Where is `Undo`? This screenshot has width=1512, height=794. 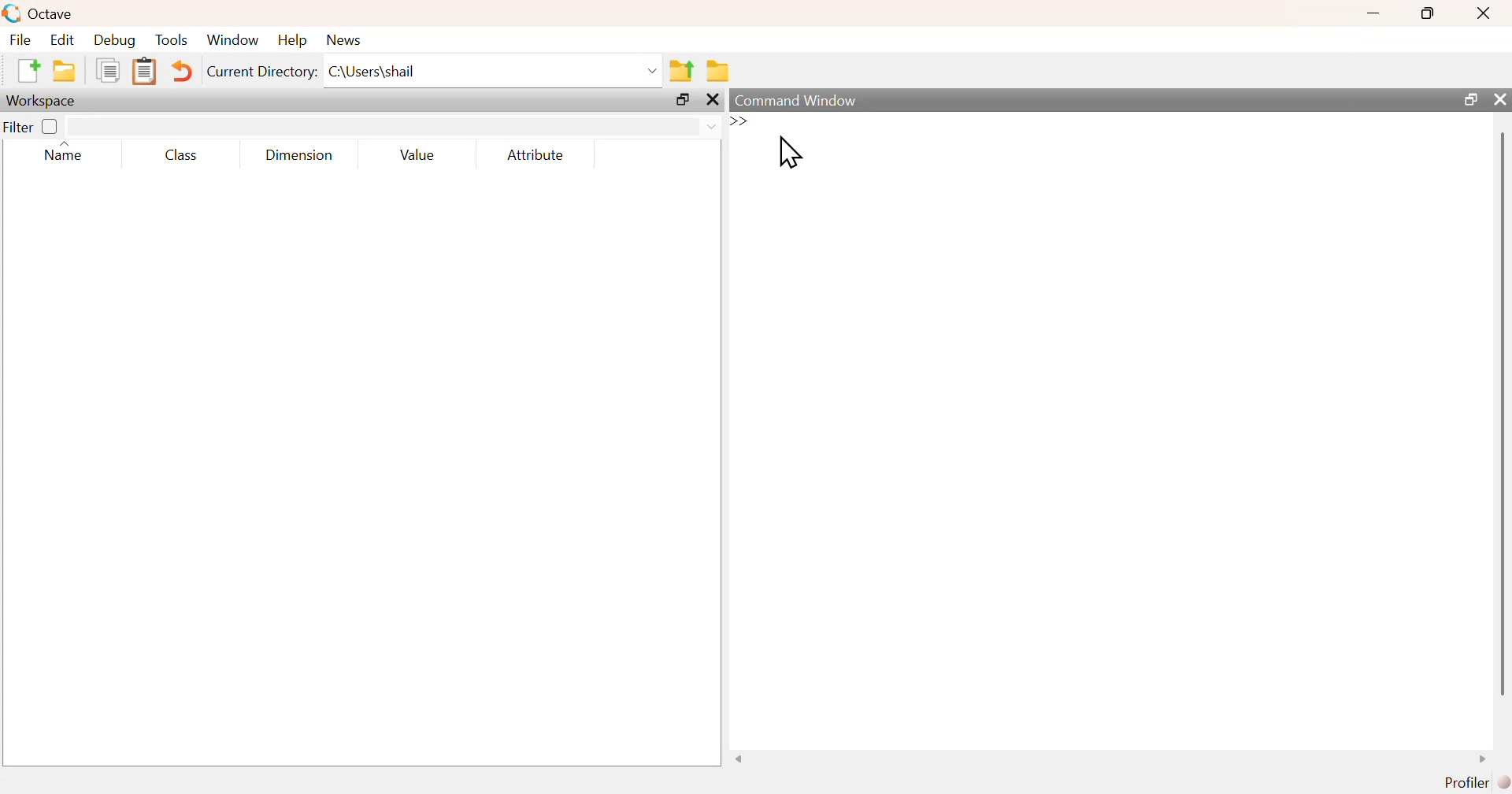
Undo is located at coordinates (180, 71).